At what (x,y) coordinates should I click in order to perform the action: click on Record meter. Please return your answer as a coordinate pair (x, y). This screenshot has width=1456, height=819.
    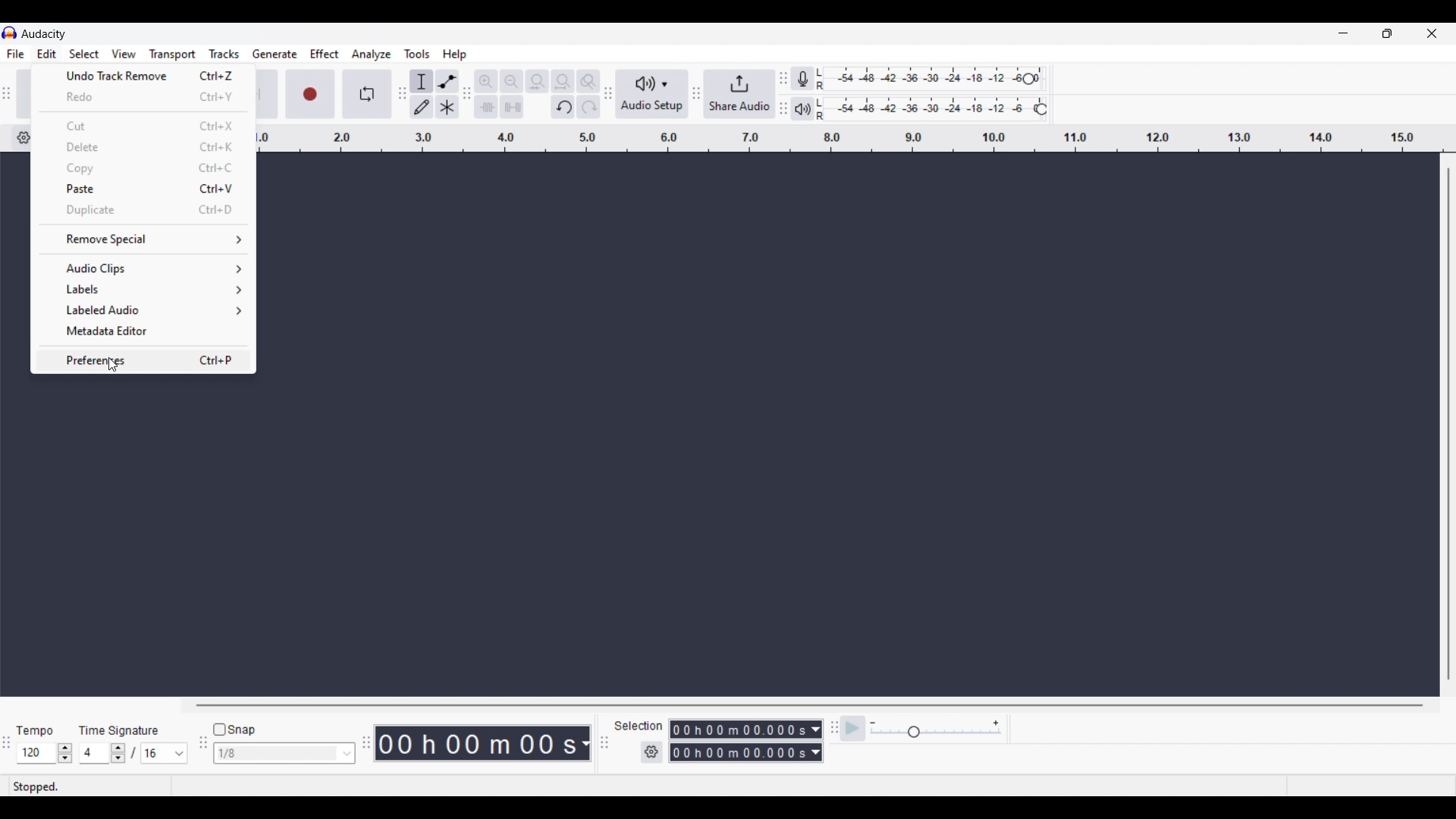
    Looking at the image, I should click on (809, 79).